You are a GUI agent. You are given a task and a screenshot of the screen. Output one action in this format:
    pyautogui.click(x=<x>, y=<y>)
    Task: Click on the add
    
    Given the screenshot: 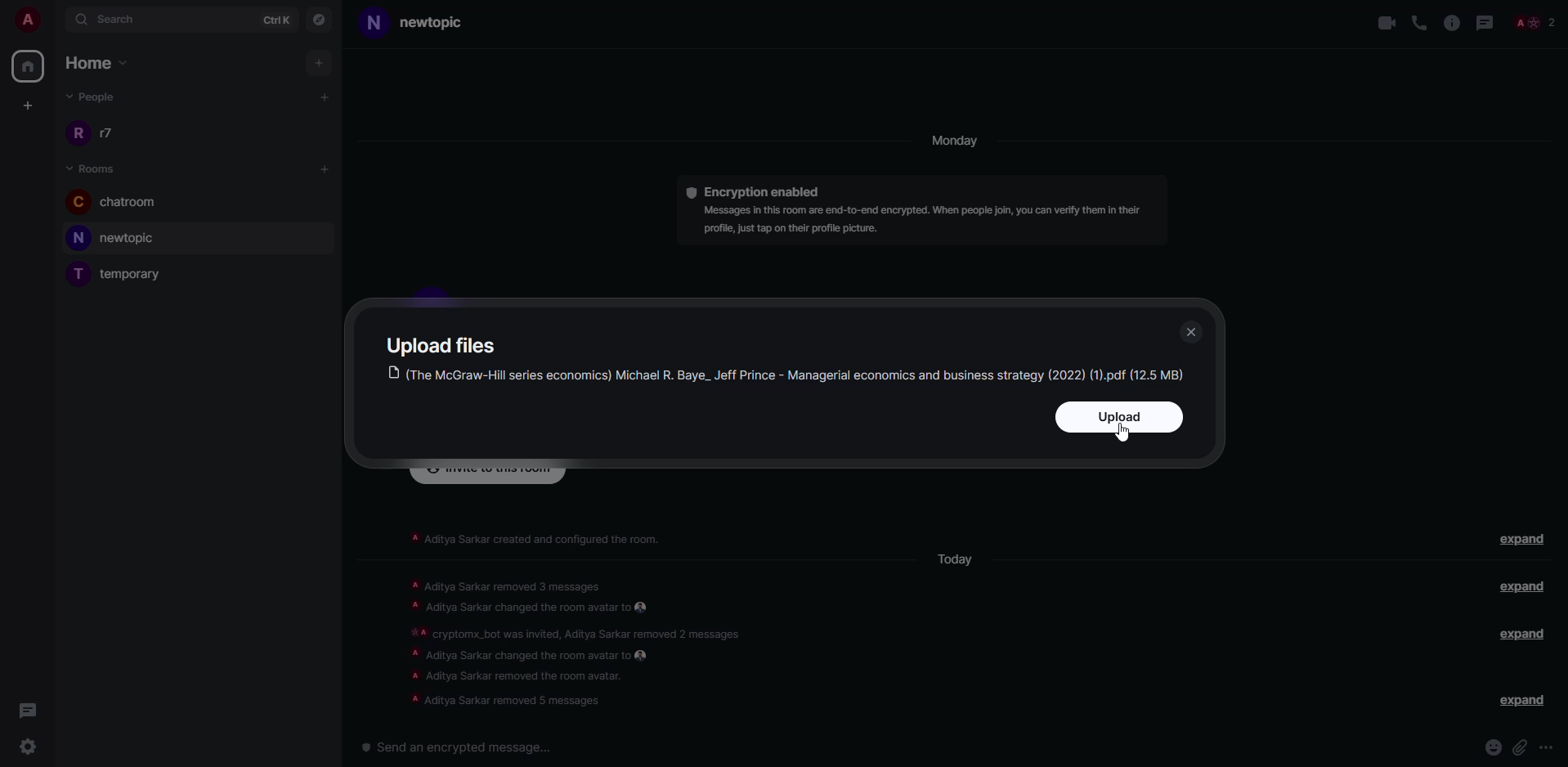 What is the action you would take?
    pyautogui.click(x=322, y=168)
    